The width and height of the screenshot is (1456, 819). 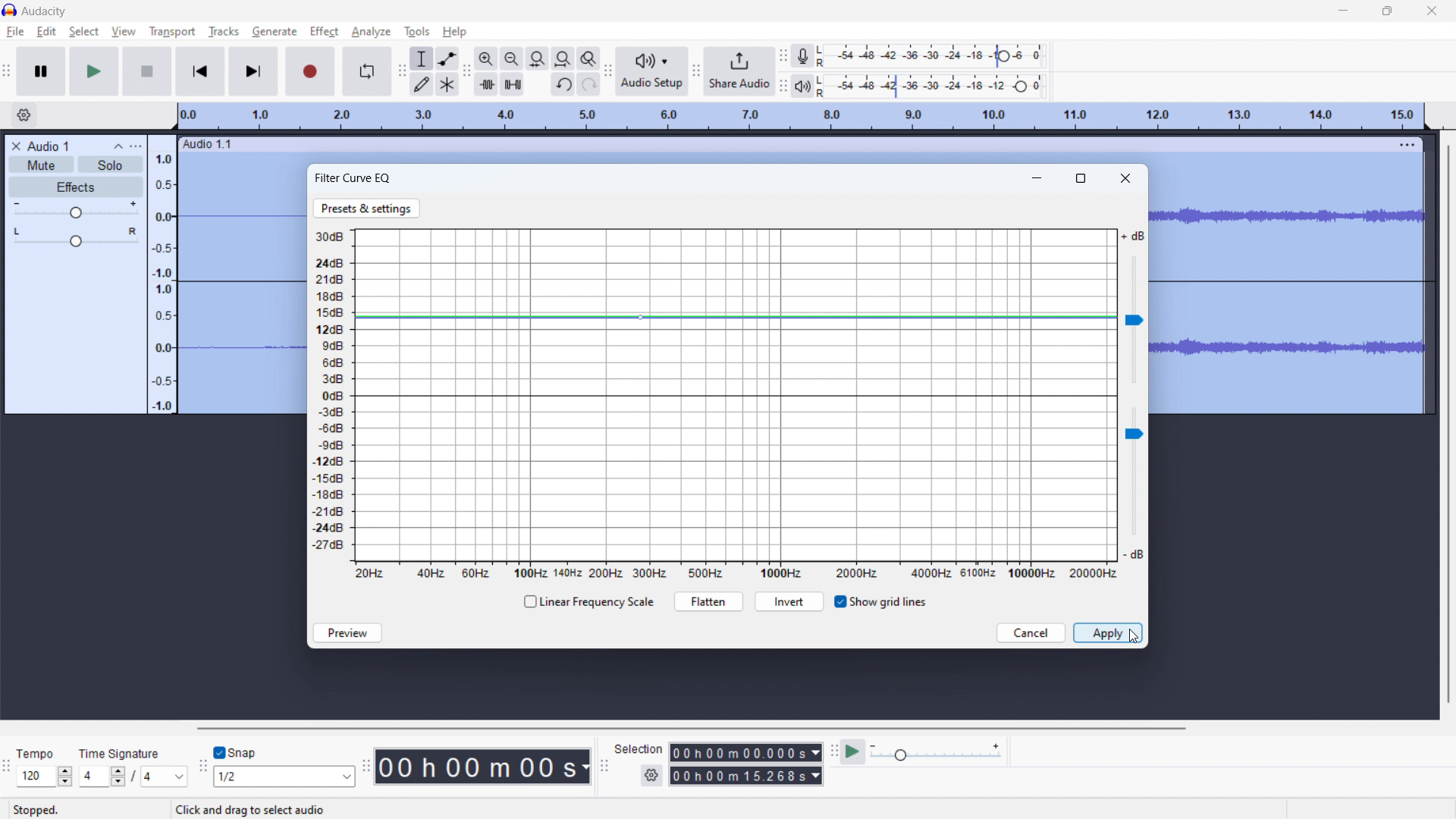 What do you see at coordinates (1134, 637) in the screenshot?
I see `cursor` at bounding box center [1134, 637].